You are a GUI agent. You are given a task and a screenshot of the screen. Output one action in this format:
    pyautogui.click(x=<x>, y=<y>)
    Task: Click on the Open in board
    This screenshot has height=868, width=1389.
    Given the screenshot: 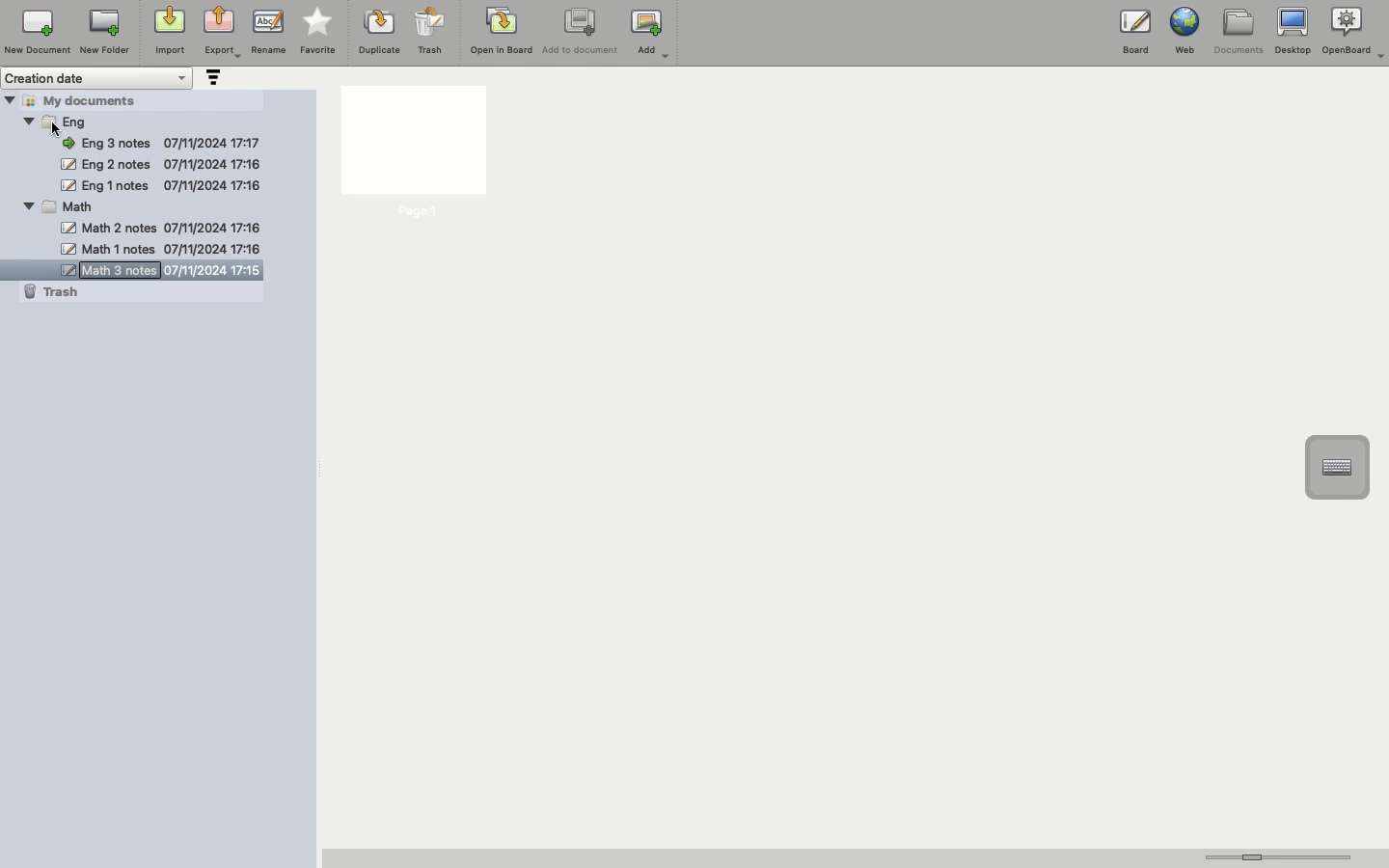 What is the action you would take?
    pyautogui.click(x=502, y=30)
    